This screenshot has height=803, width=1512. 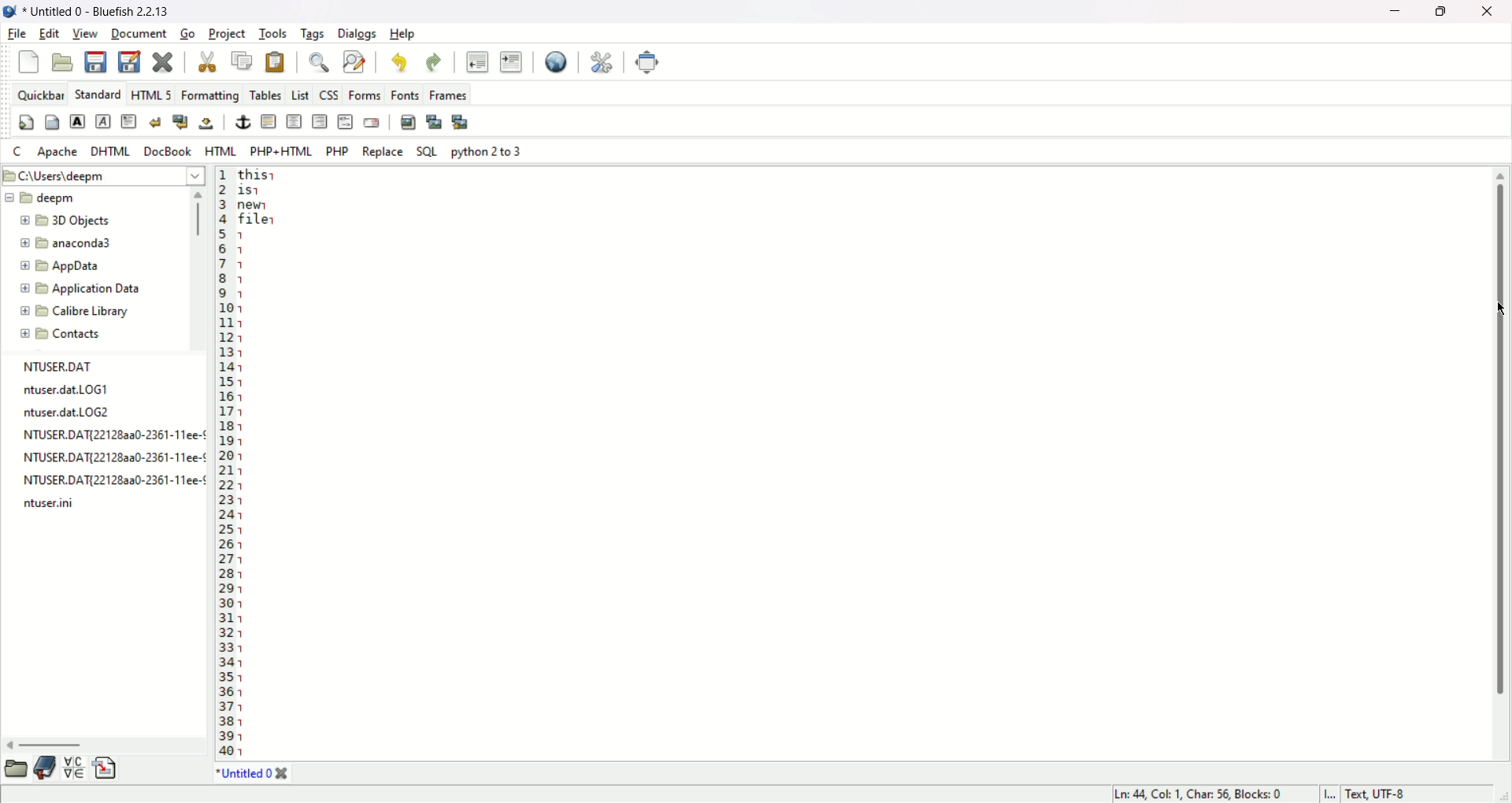 What do you see at coordinates (206, 124) in the screenshot?
I see `non breaking space` at bounding box center [206, 124].